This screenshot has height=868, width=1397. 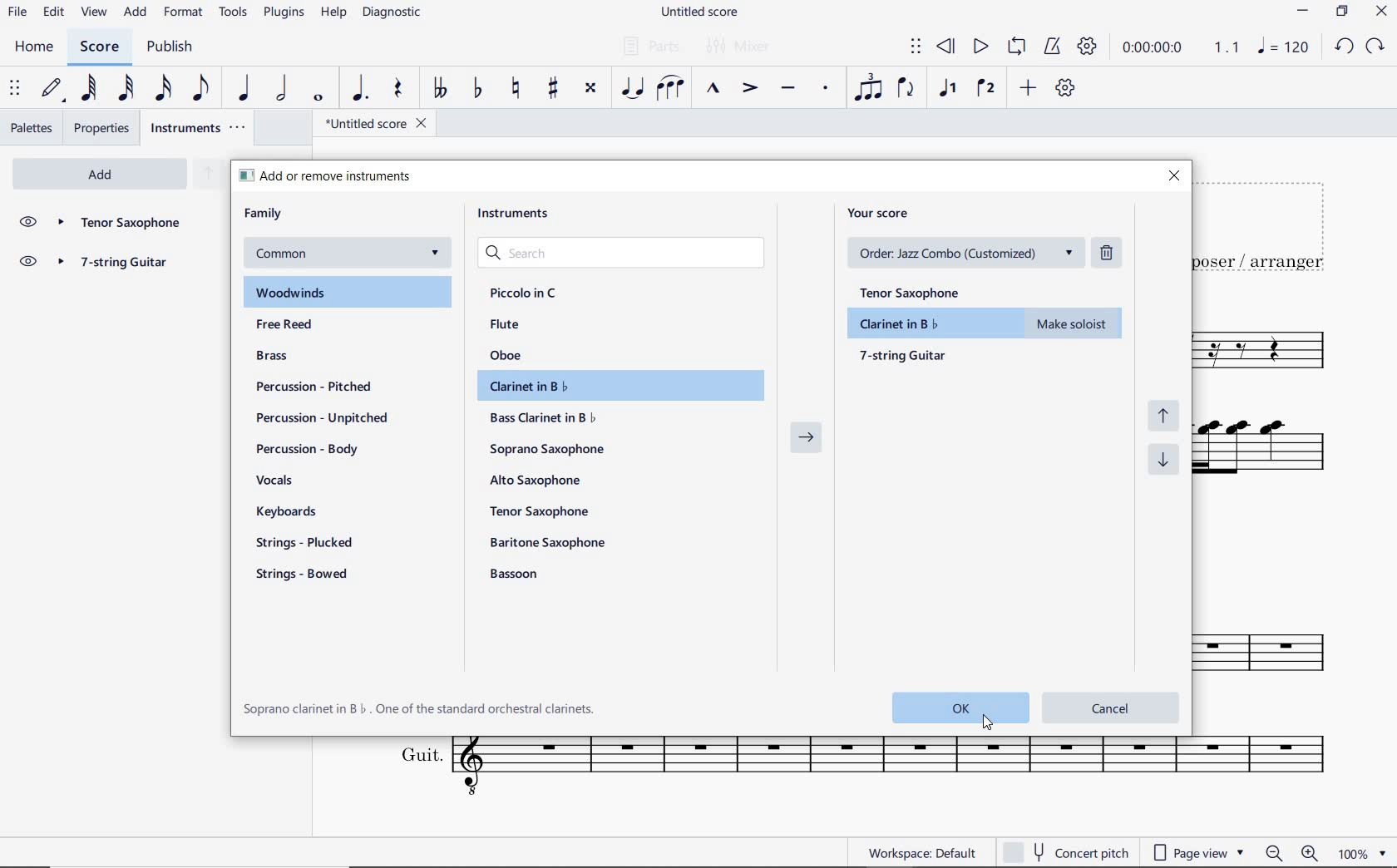 What do you see at coordinates (264, 214) in the screenshot?
I see `family` at bounding box center [264, 214].